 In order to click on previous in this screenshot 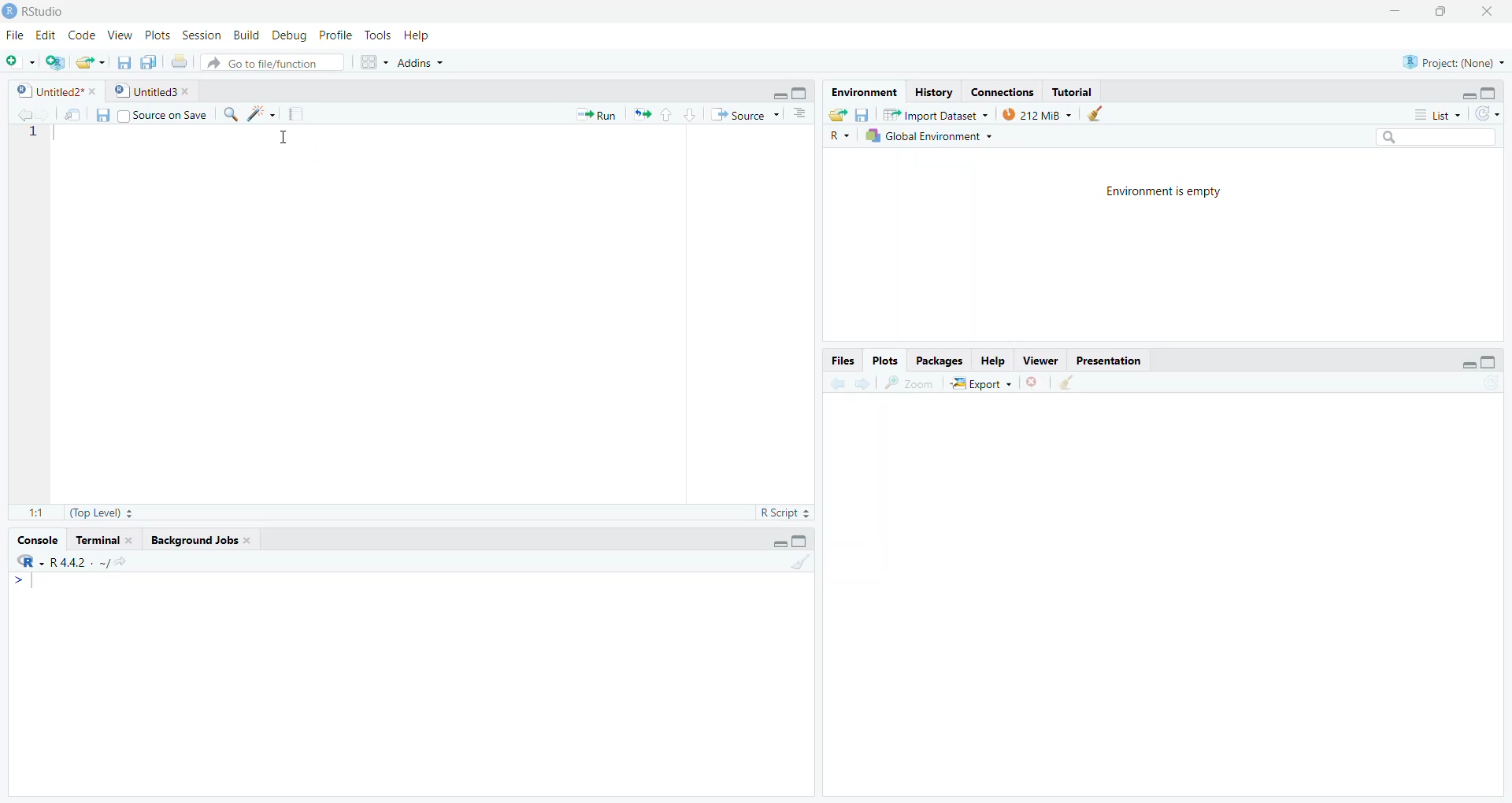, I will do `click(834, 383)`.